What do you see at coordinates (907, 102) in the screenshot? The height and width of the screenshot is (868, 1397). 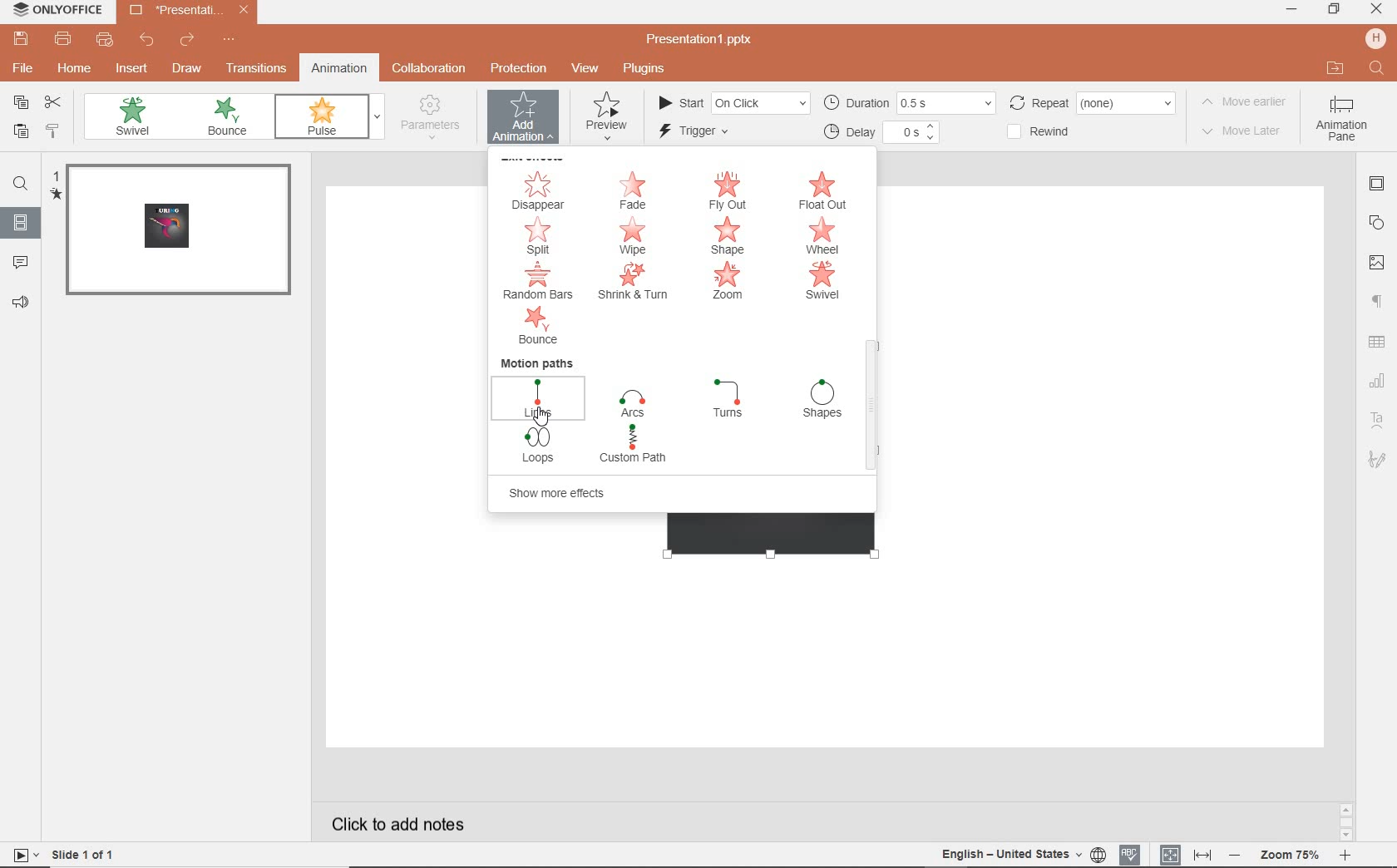 I see `duration` at bounding box center [907, 102].